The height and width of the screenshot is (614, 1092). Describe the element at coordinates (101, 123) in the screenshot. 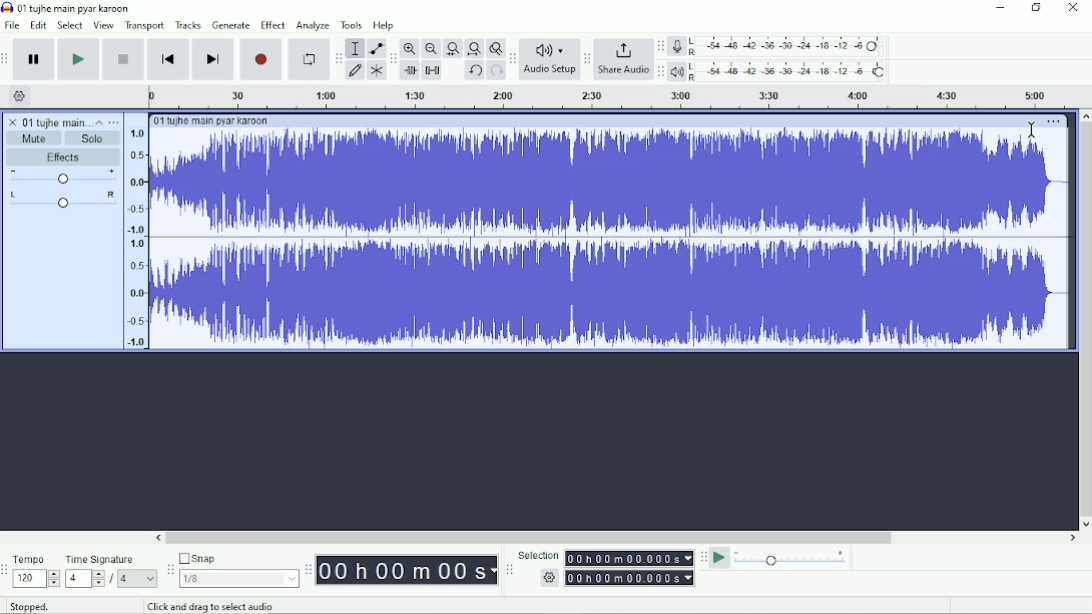

I see `Collapse` at that location.